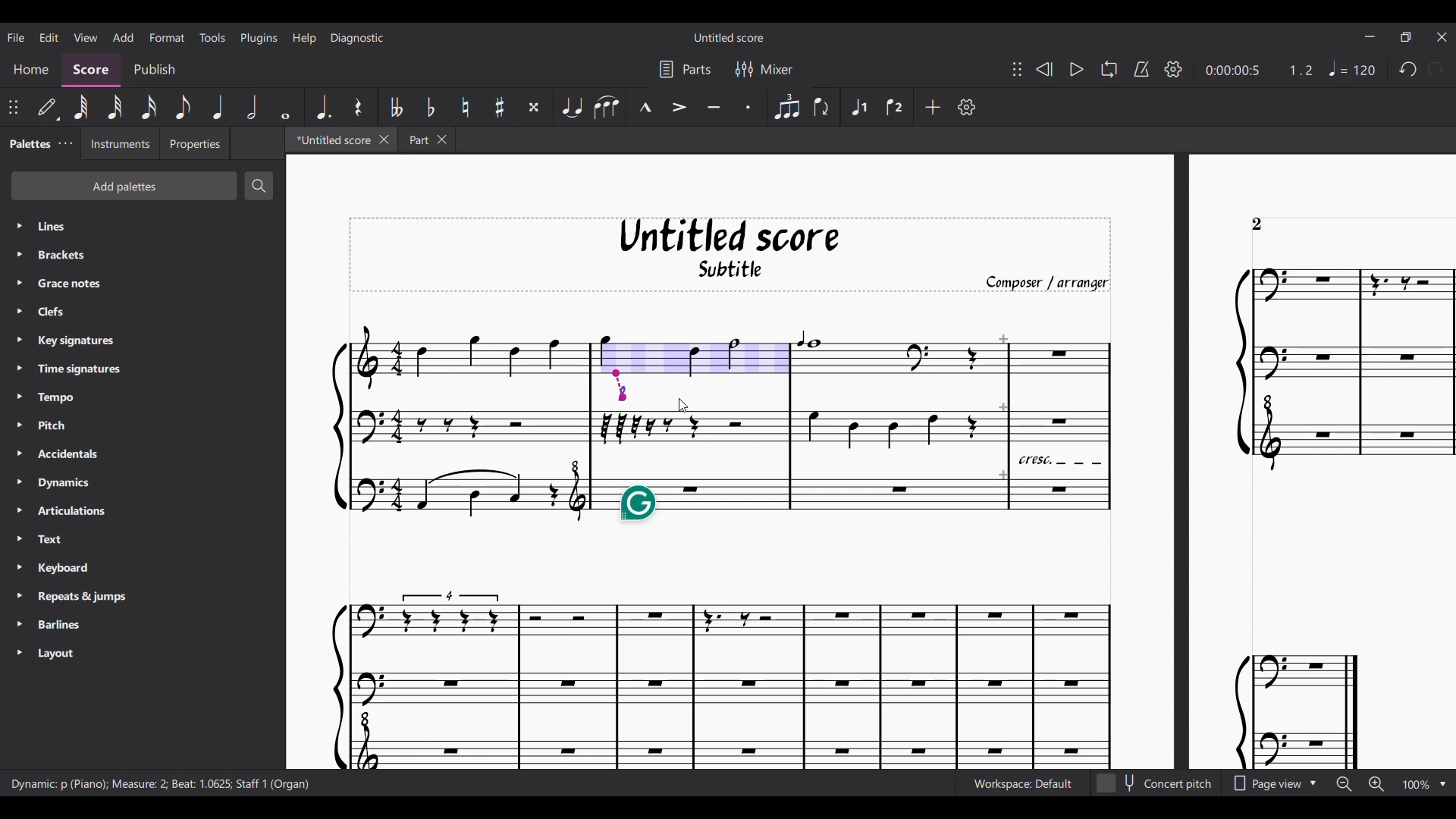 This screenshot has height=819, width=1456. What do you see at coordinates (1352, 68) in the screenshot?
I see `Tempo` at bounding box center [1352, 68].